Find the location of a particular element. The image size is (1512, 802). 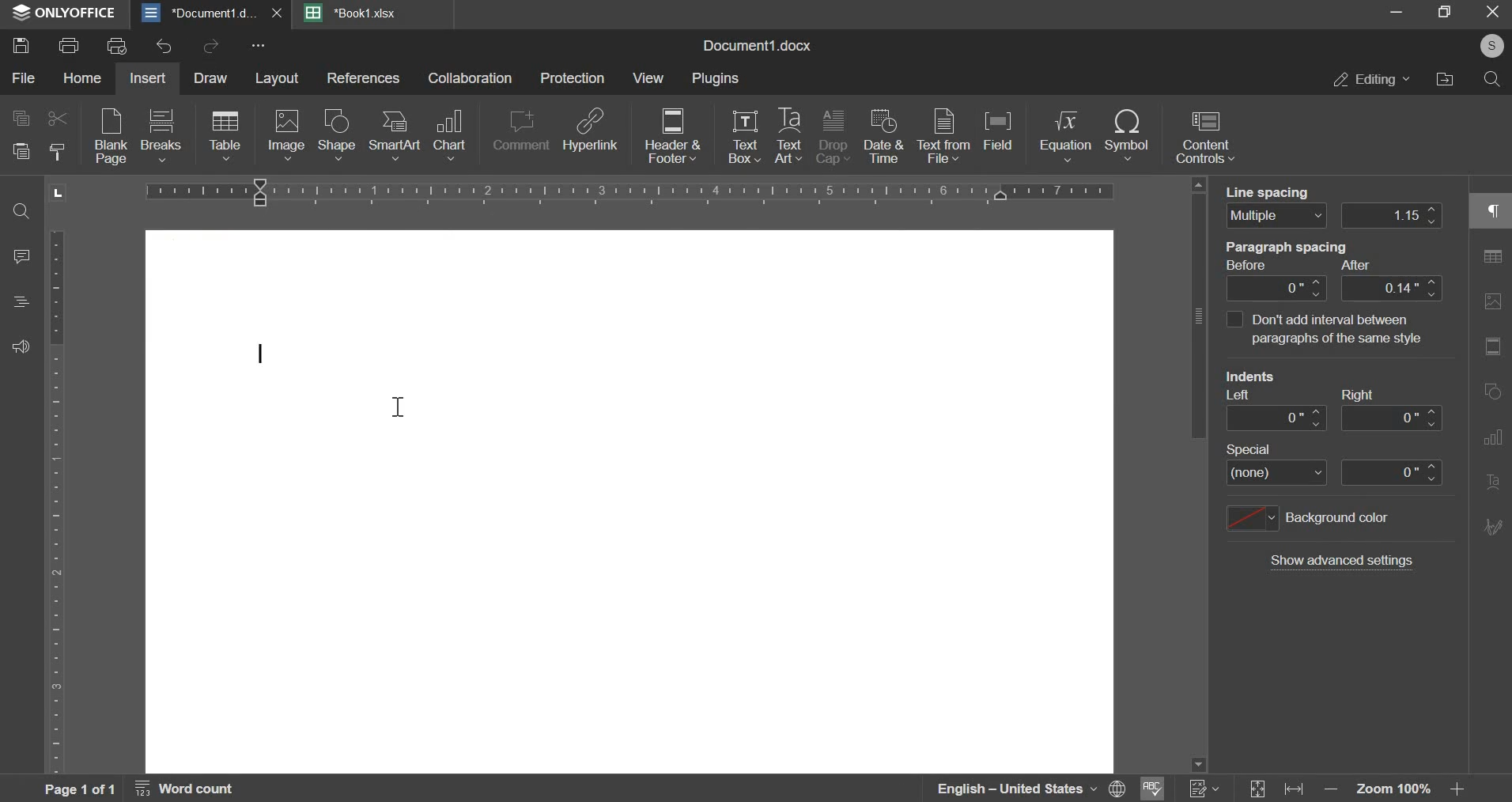

comment is located at coordinates (520, 134).